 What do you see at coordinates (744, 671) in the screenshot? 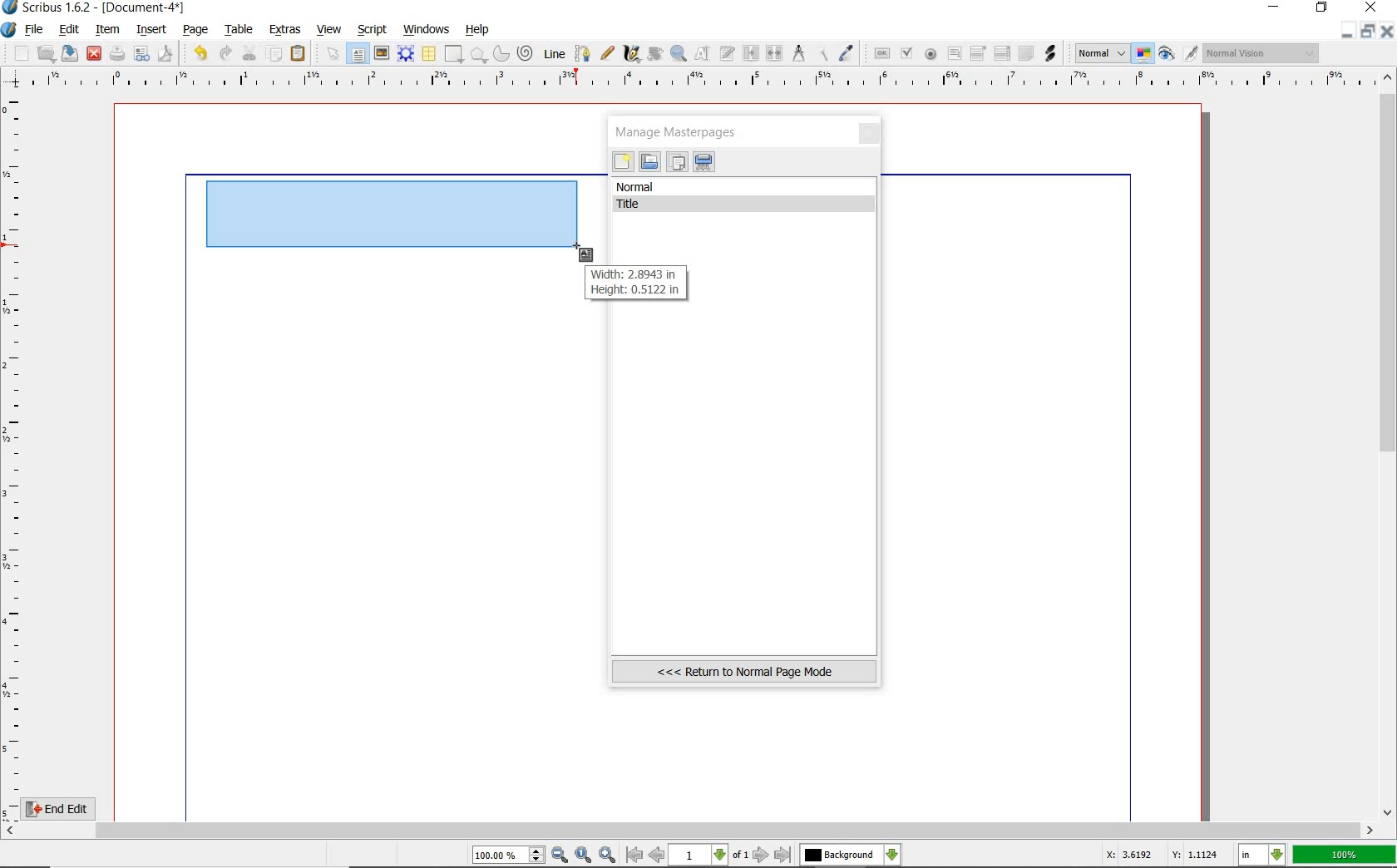
I see `Return to normal page mode` at bounding box center [744, 671].